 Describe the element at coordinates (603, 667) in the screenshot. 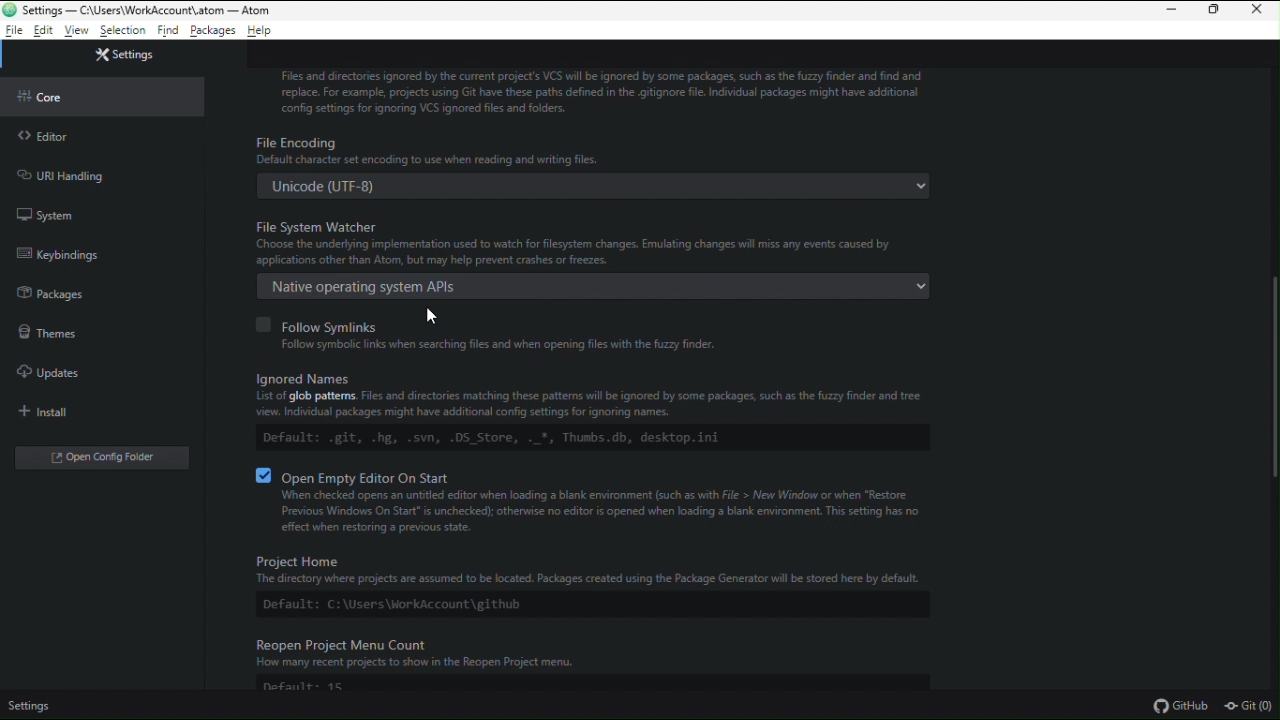

I see `Reopen project menu count` at that location.